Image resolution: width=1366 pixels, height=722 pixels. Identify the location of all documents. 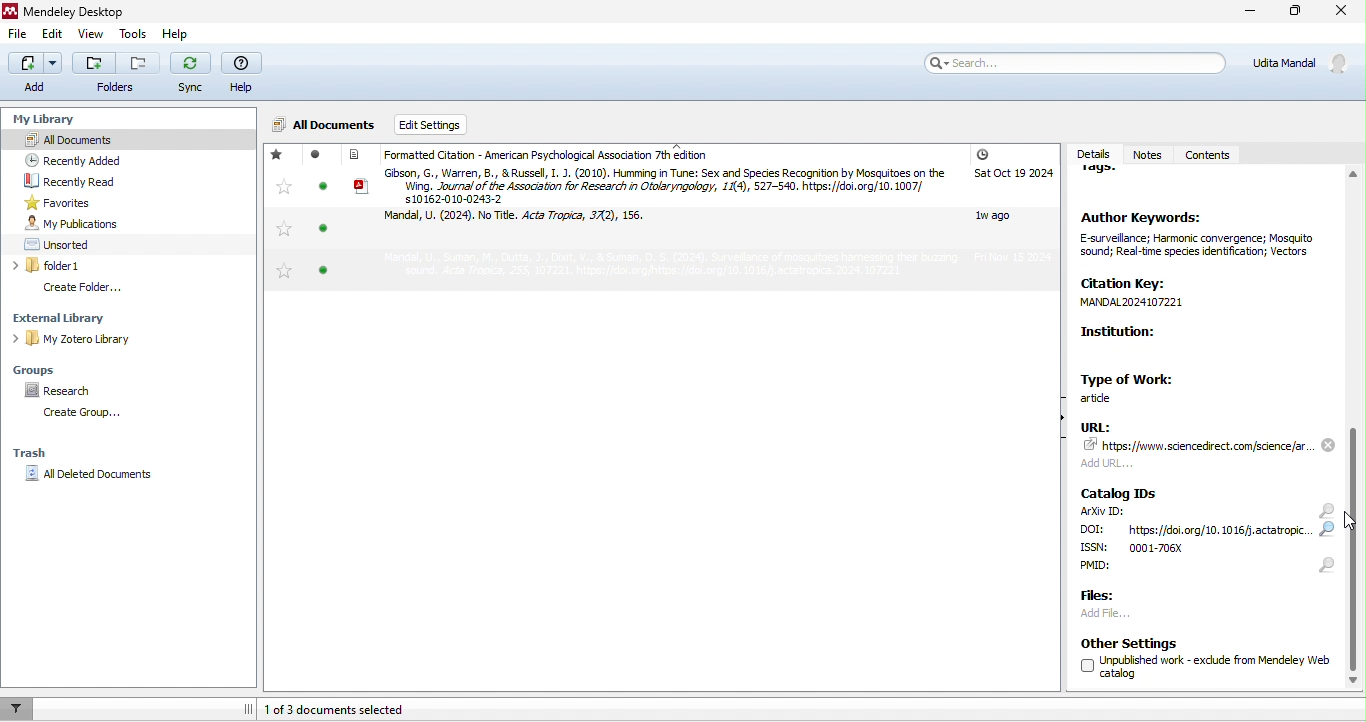
(82, 138).